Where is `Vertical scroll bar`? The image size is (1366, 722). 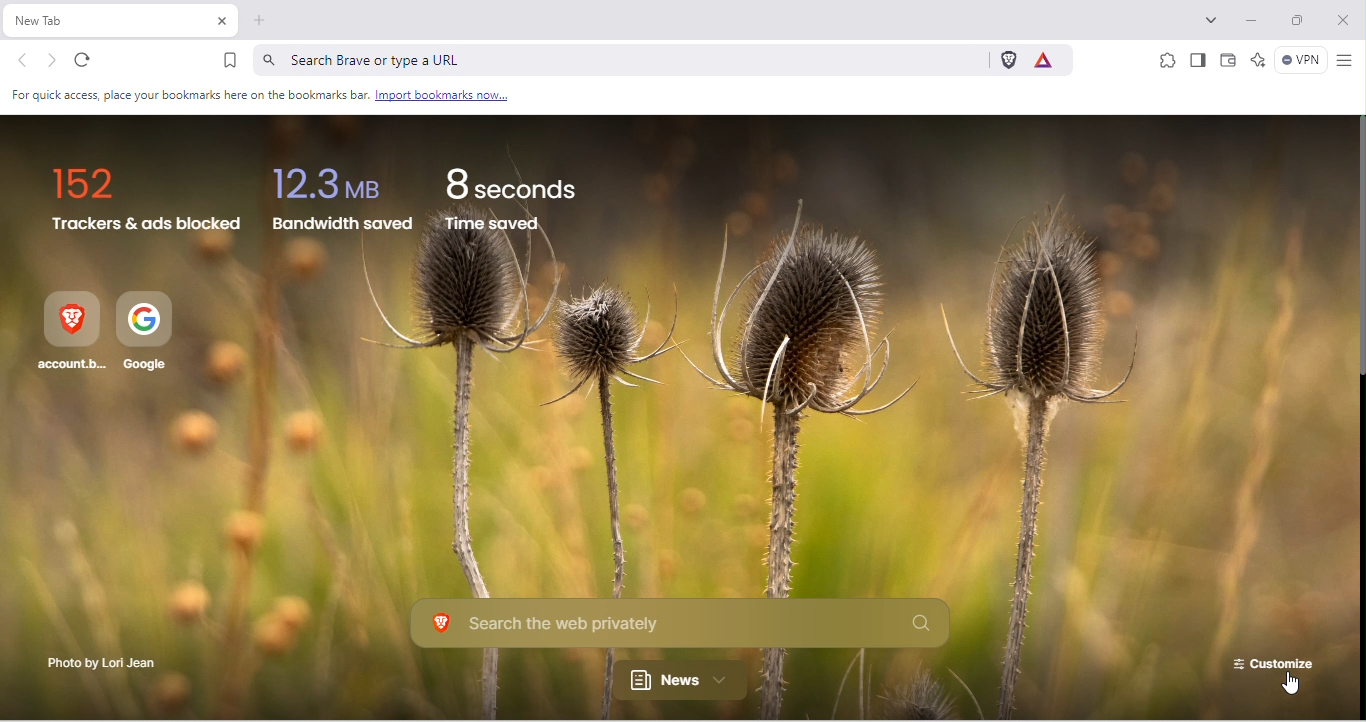
Vertical scroll bar is located at coordinates (1357, 247).